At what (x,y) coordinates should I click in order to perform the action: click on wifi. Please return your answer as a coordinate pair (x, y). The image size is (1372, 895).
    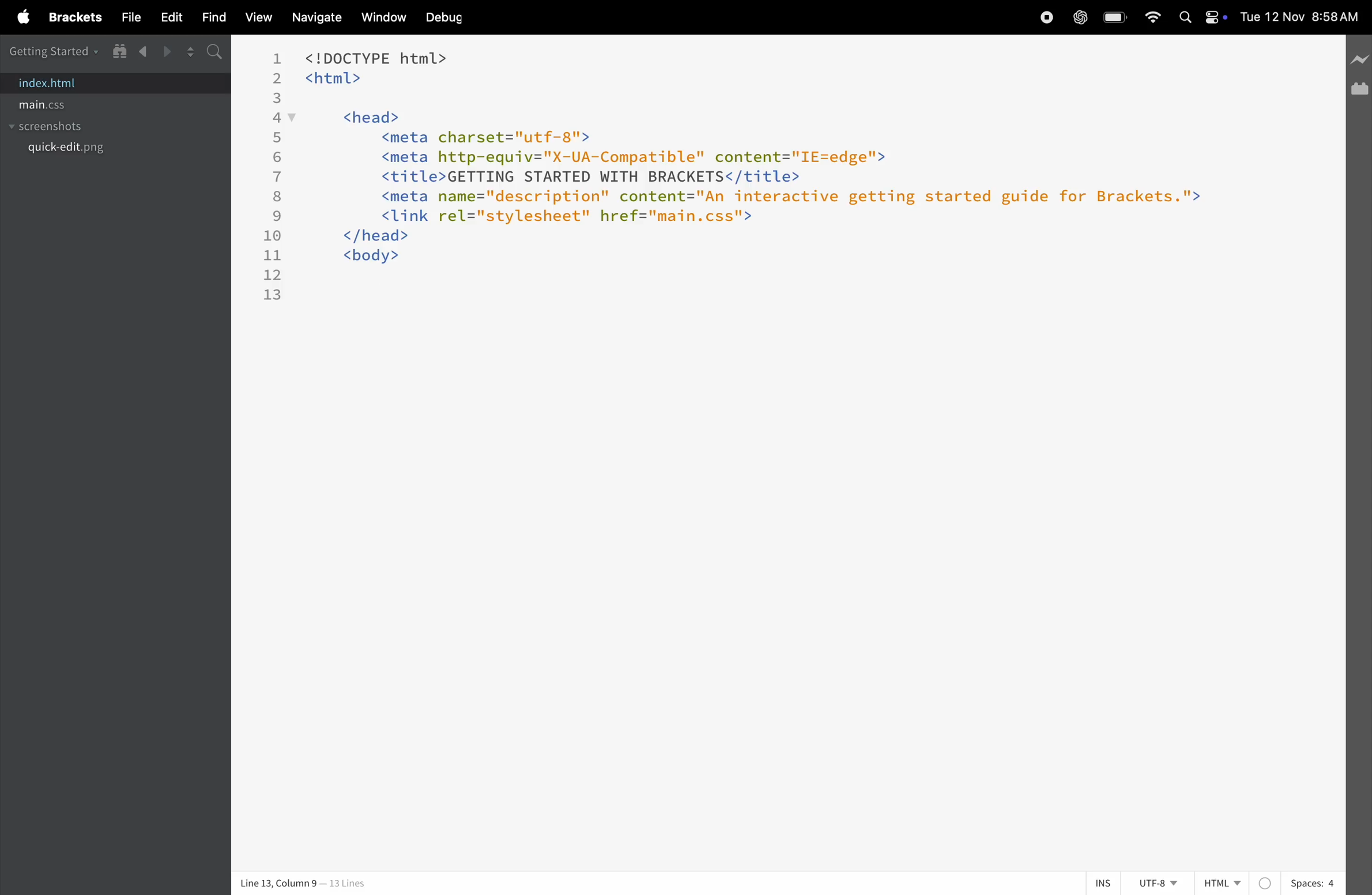
    Looking at the image, I should click on (1150, 17).